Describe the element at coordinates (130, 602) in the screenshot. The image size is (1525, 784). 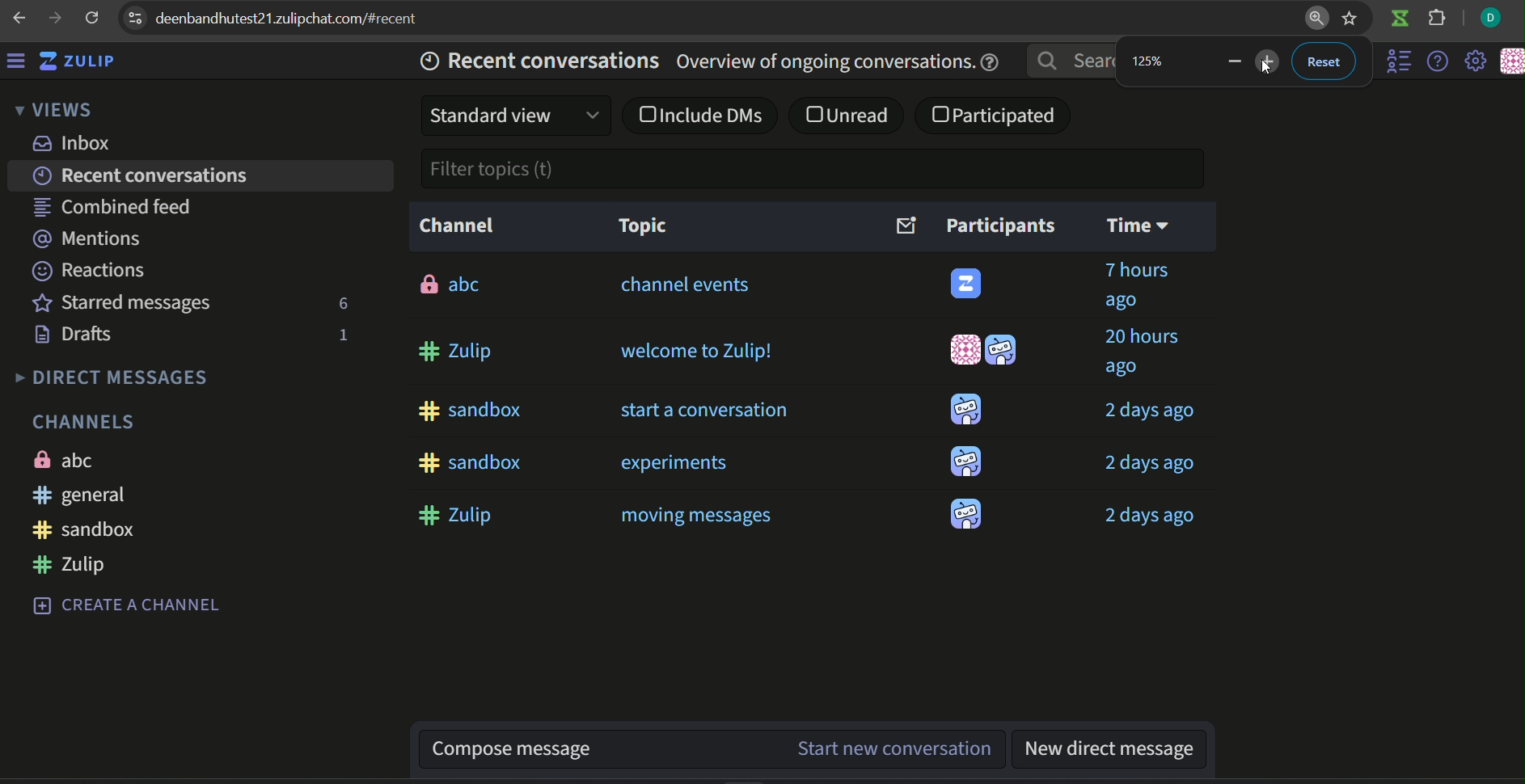
I see `text` at that location.